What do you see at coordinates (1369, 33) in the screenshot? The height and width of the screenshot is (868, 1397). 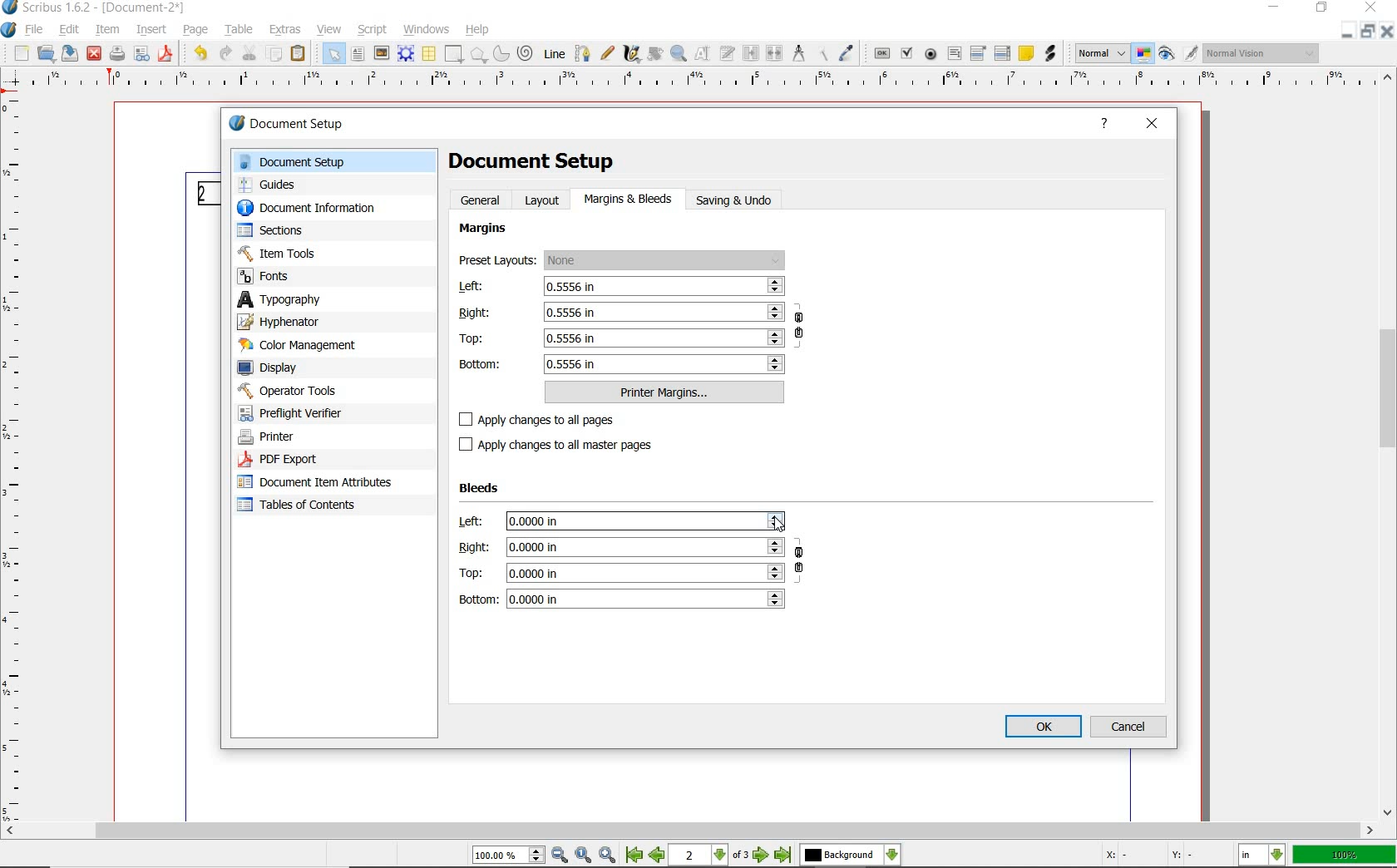 I see `Minimize` at bounding box center [1369, 33].